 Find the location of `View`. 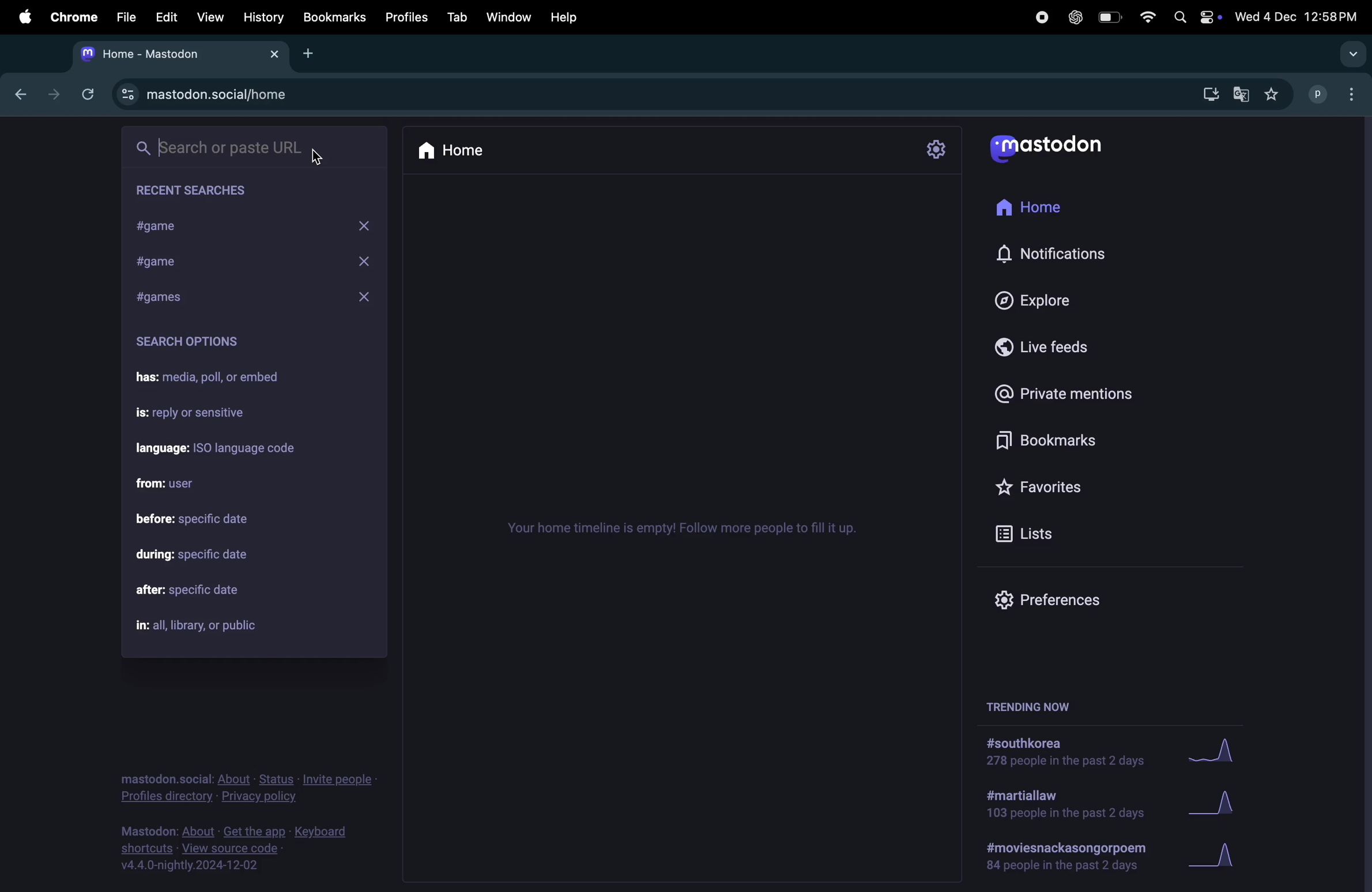

View is located at coordinates (210, 16).